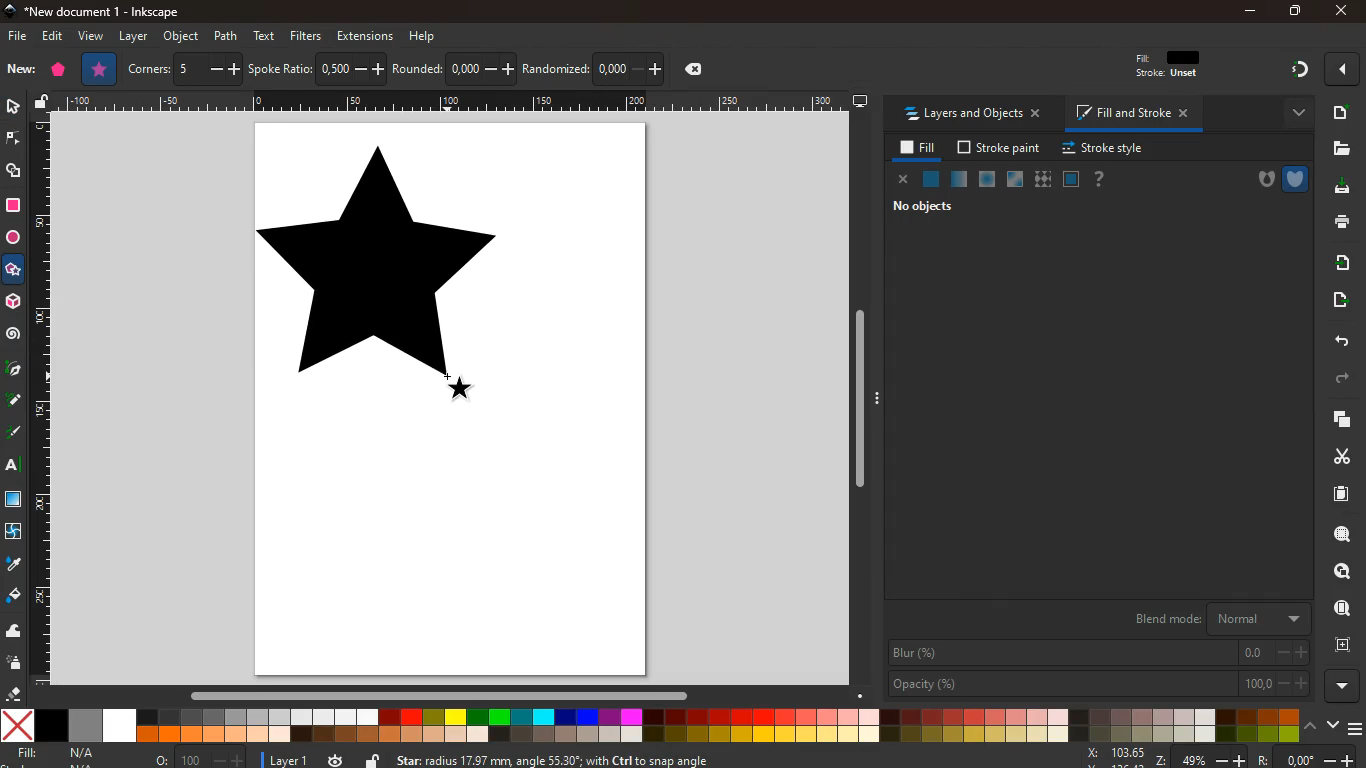 This screenshot has width=1366, height=768. I want to click on extensions, so click(365, 35).